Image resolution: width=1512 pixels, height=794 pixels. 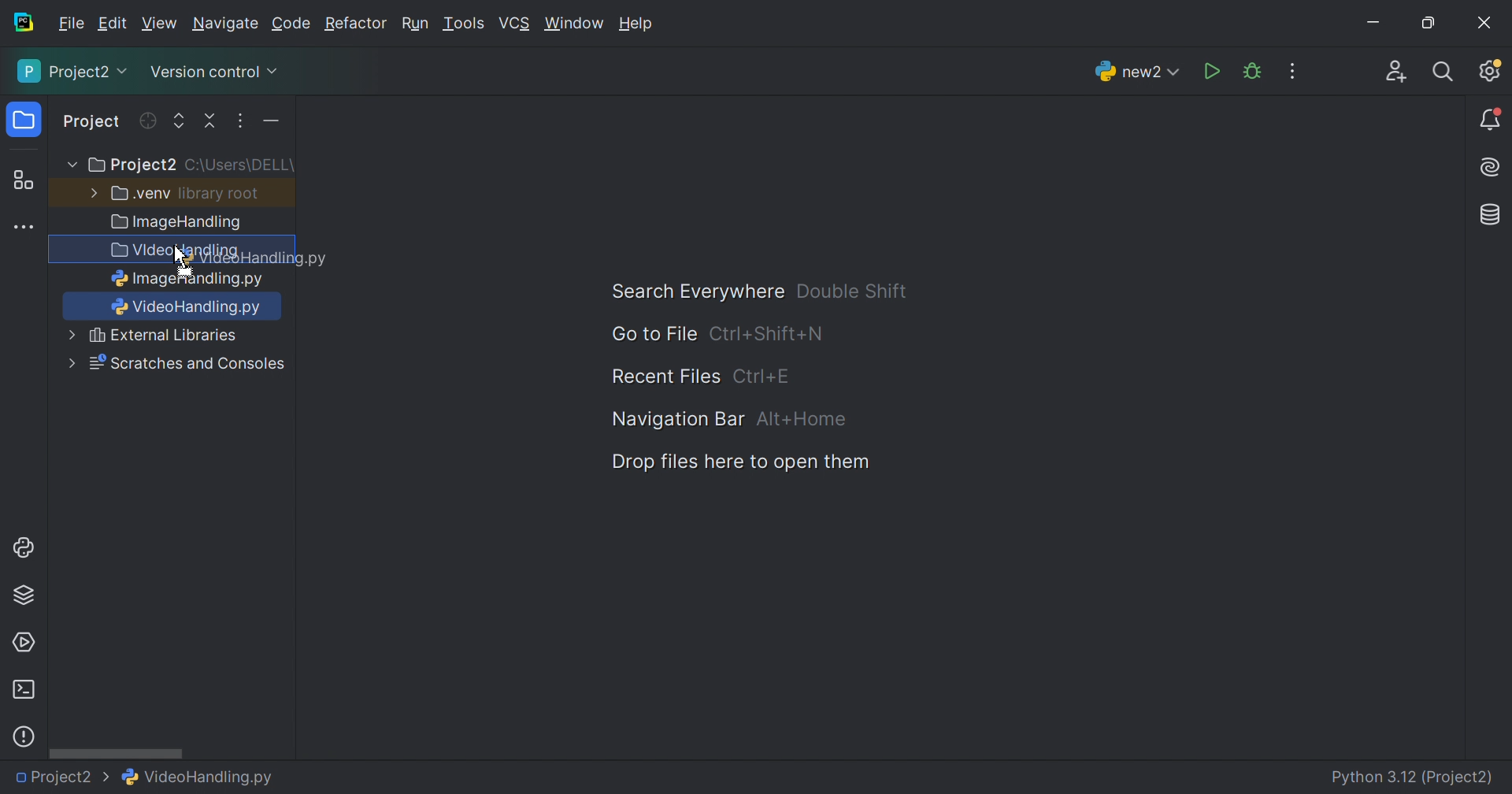 What do you see at coordinates (354, 25) in the screenshot?
I see `Refactor` at bounding box center [354, 25].